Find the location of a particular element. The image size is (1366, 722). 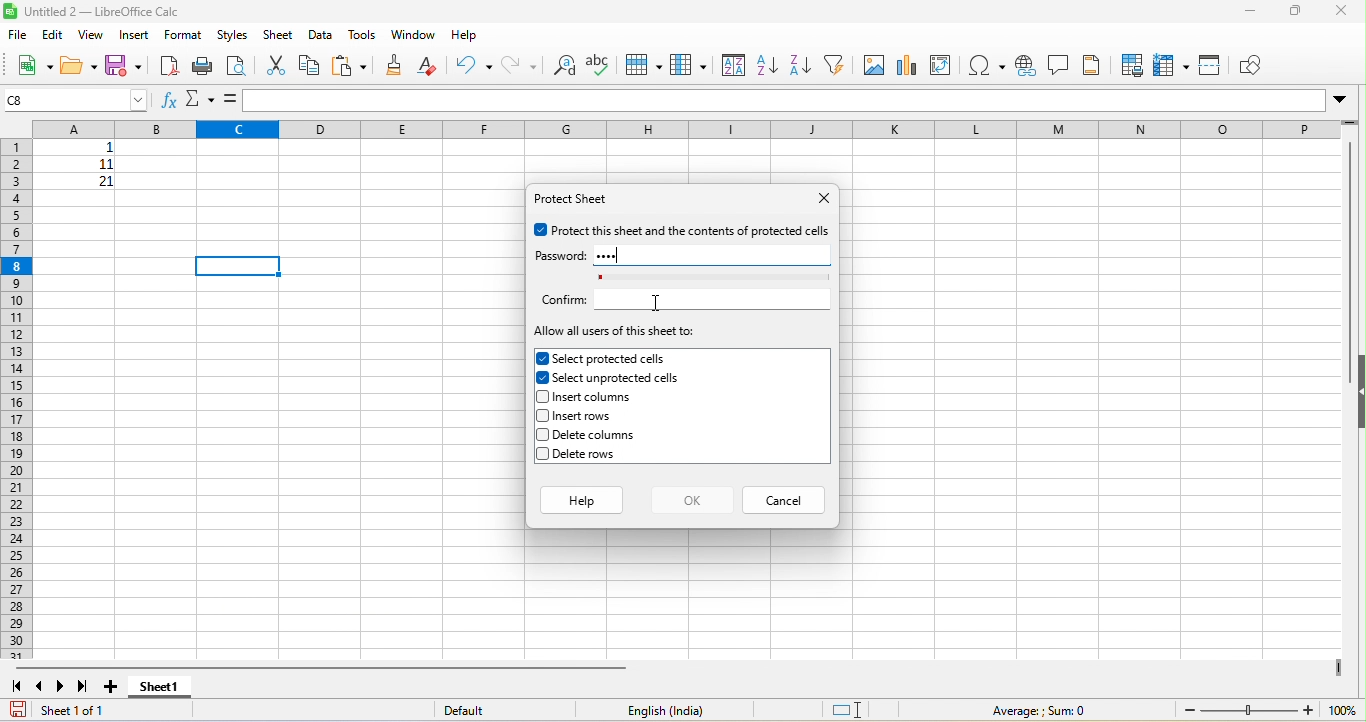

allow all users of this sheet to is located at coordinates (617, 333).